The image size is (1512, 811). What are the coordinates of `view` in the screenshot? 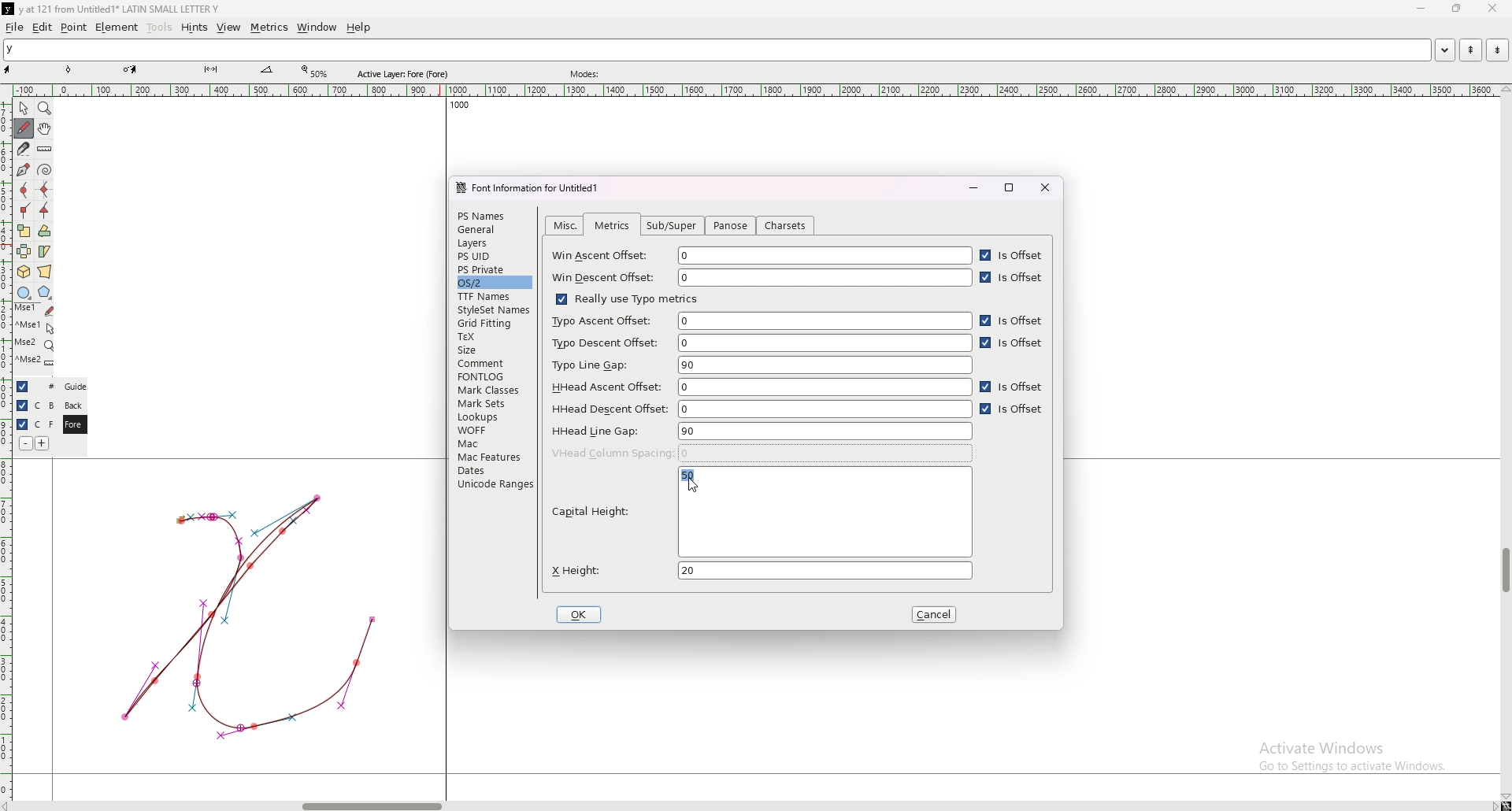 It's located at (229, 28).